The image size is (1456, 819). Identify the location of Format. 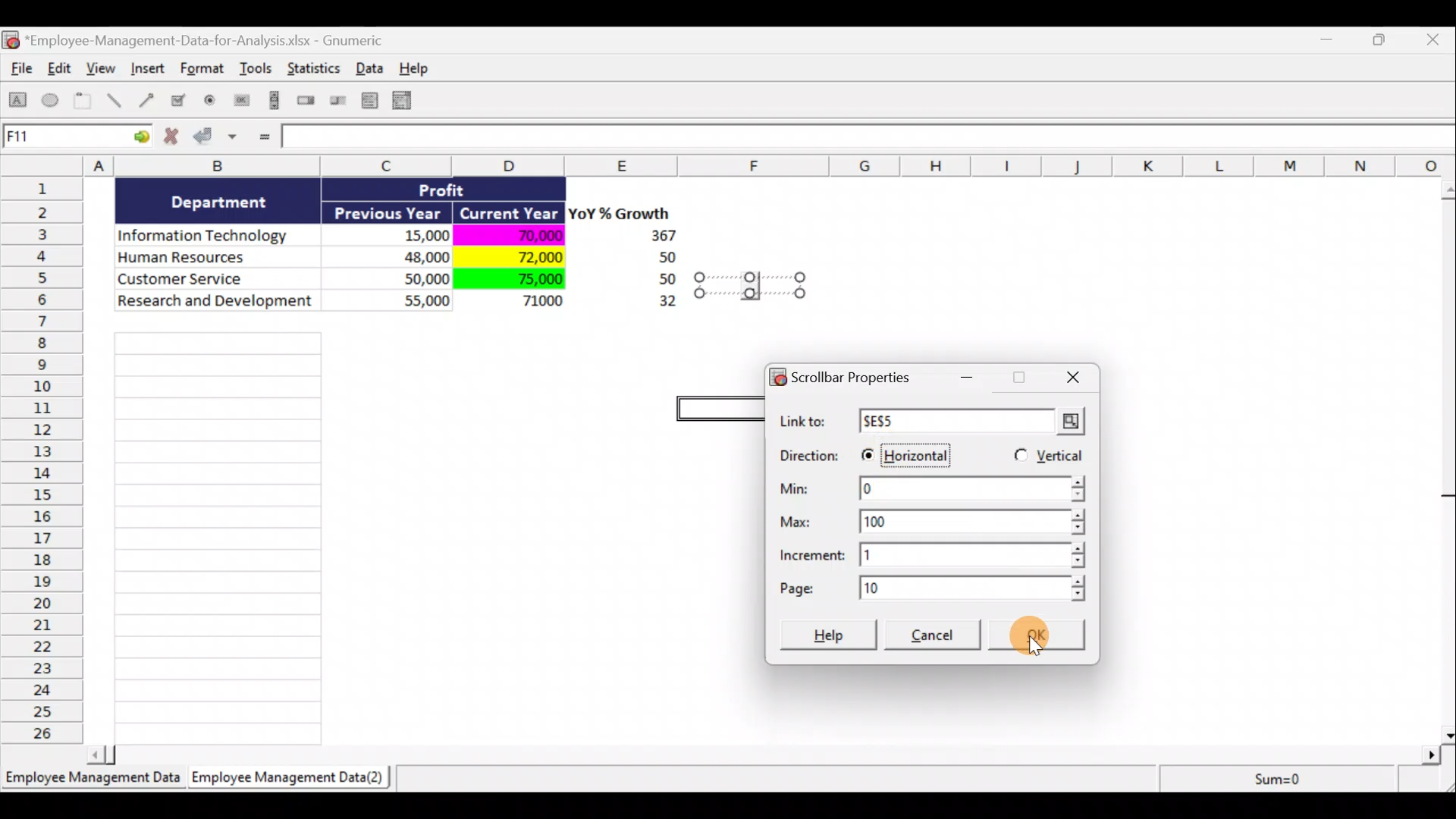
(204, 71).